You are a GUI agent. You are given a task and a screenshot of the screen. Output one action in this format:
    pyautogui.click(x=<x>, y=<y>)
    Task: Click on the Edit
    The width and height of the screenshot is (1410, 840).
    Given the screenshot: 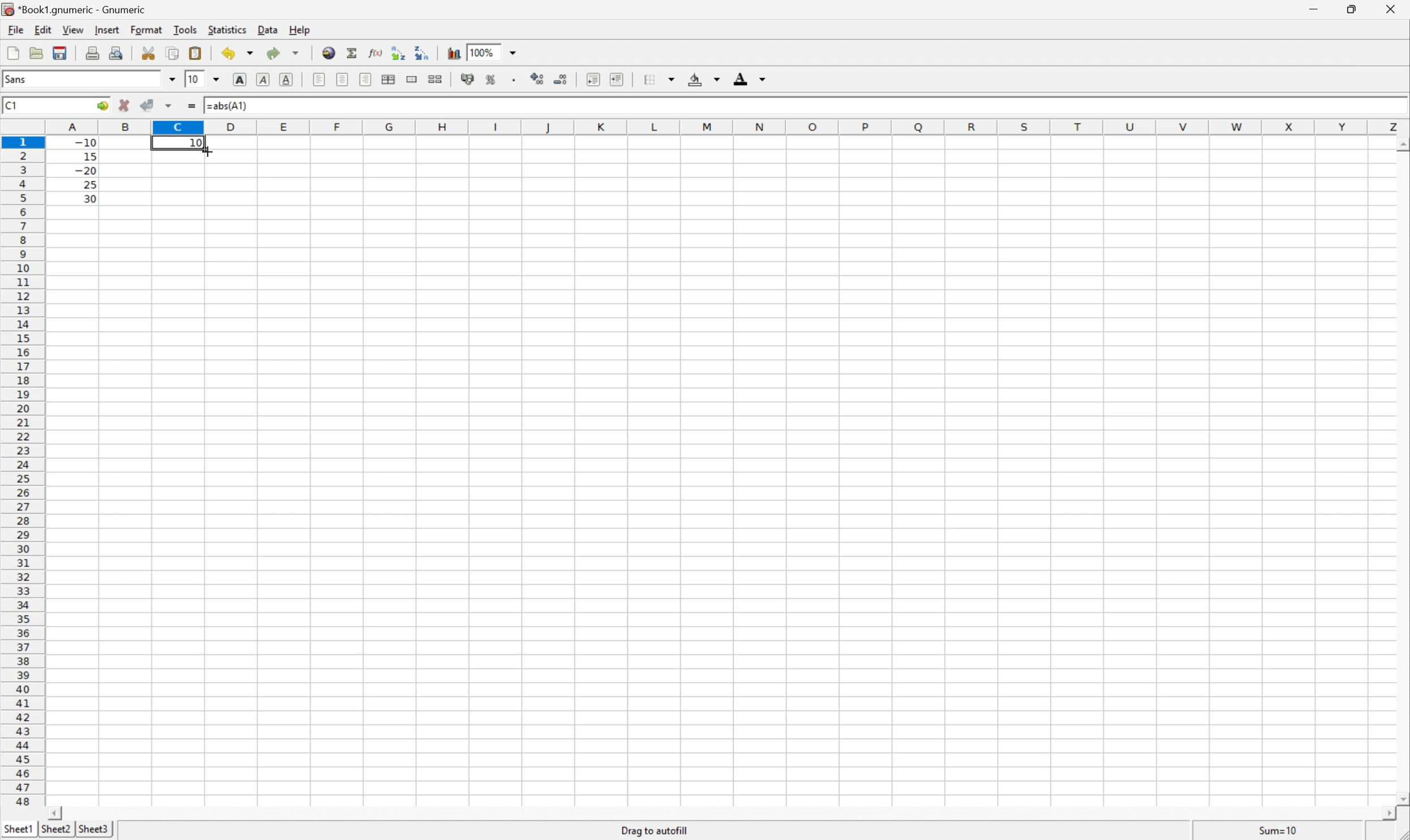 What is the action you would take?
    pyautogui.click(x=44, y=28)
    